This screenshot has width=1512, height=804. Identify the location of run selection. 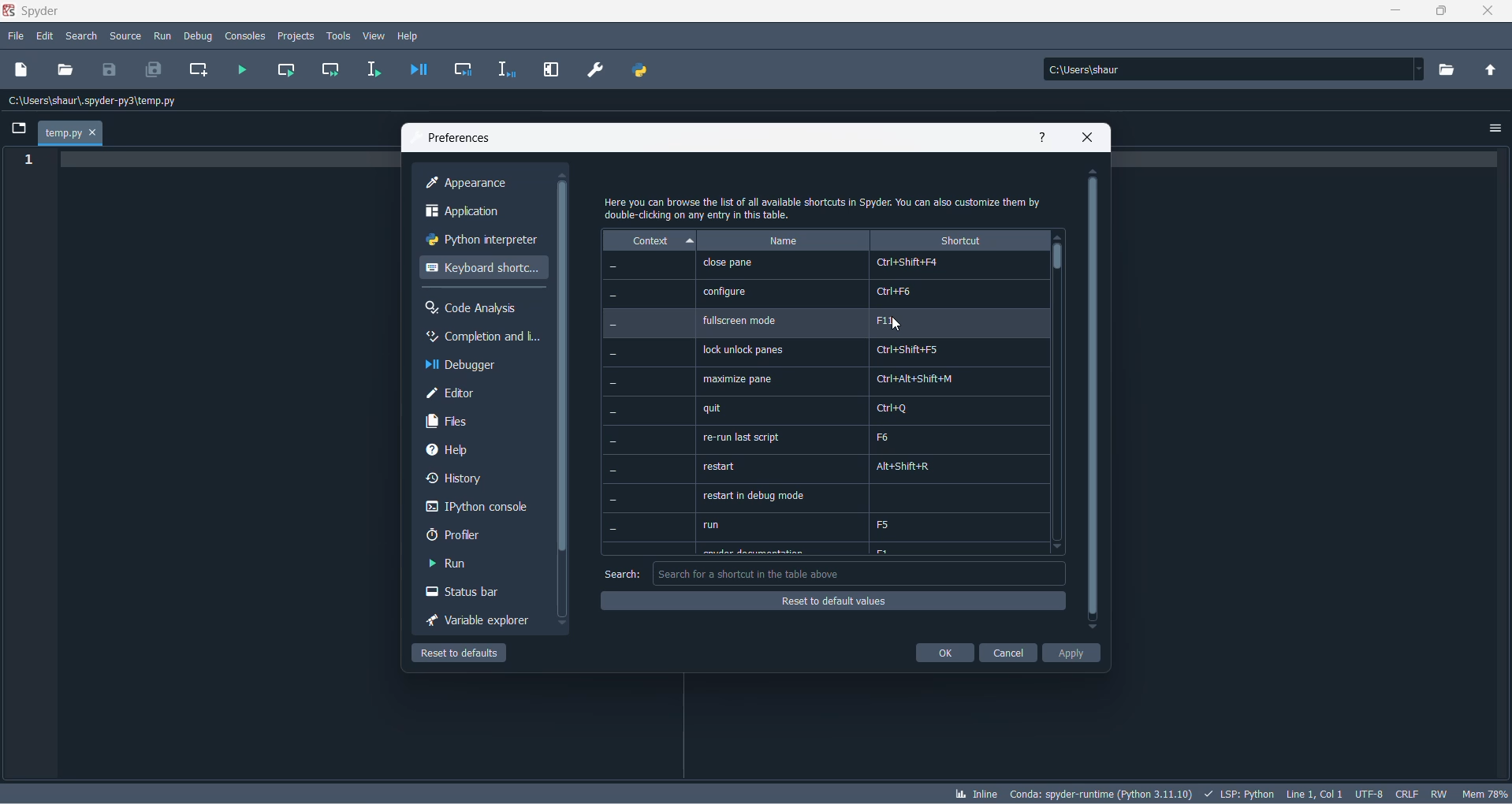
(371, 70).